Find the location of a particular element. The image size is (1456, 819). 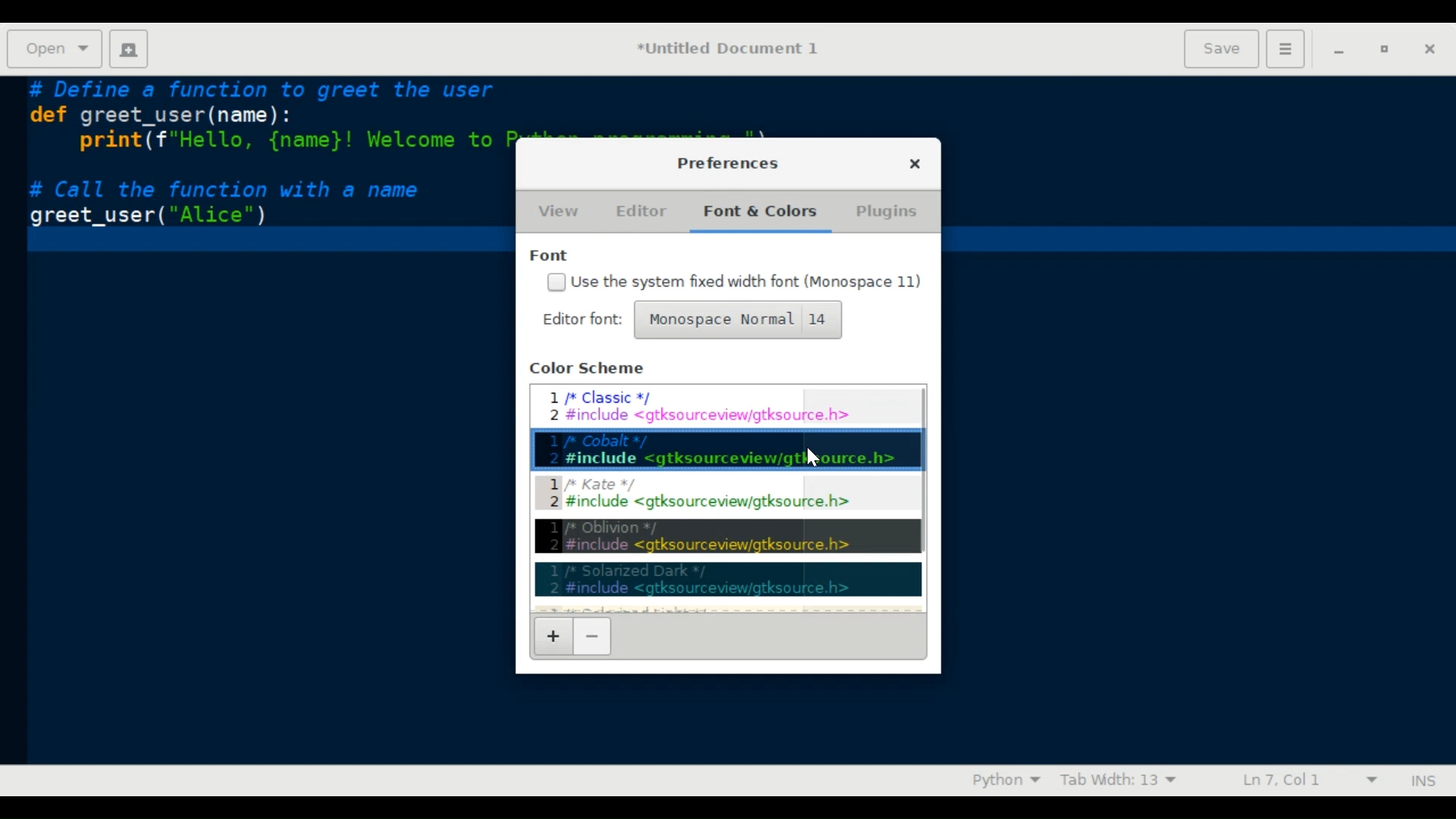

(un)check Use the system fixed width font (Monospace 11) is located at coordinates (733, 283).